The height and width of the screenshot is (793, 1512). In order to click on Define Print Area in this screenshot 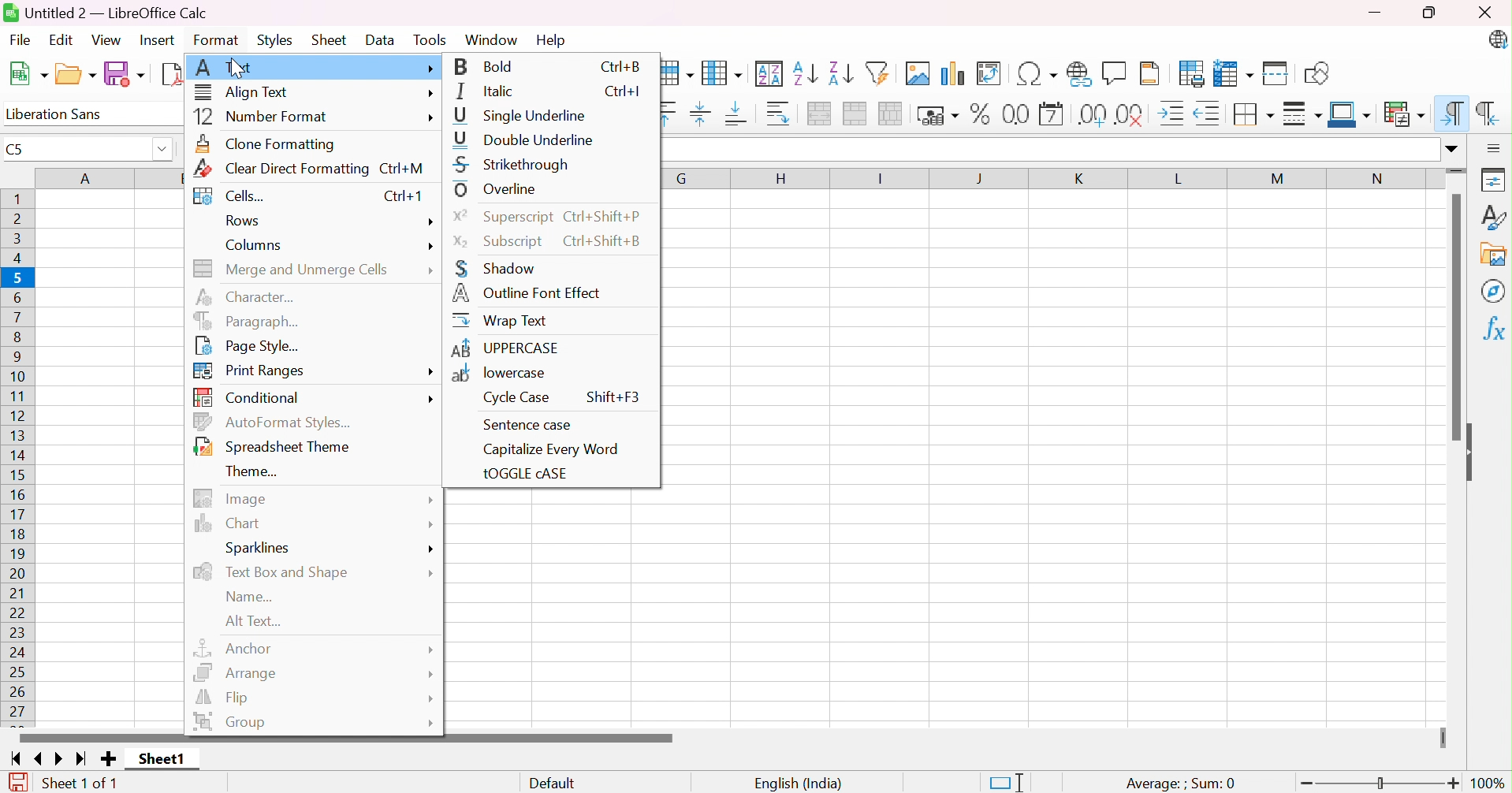, I will do `click(1190, 73)`.